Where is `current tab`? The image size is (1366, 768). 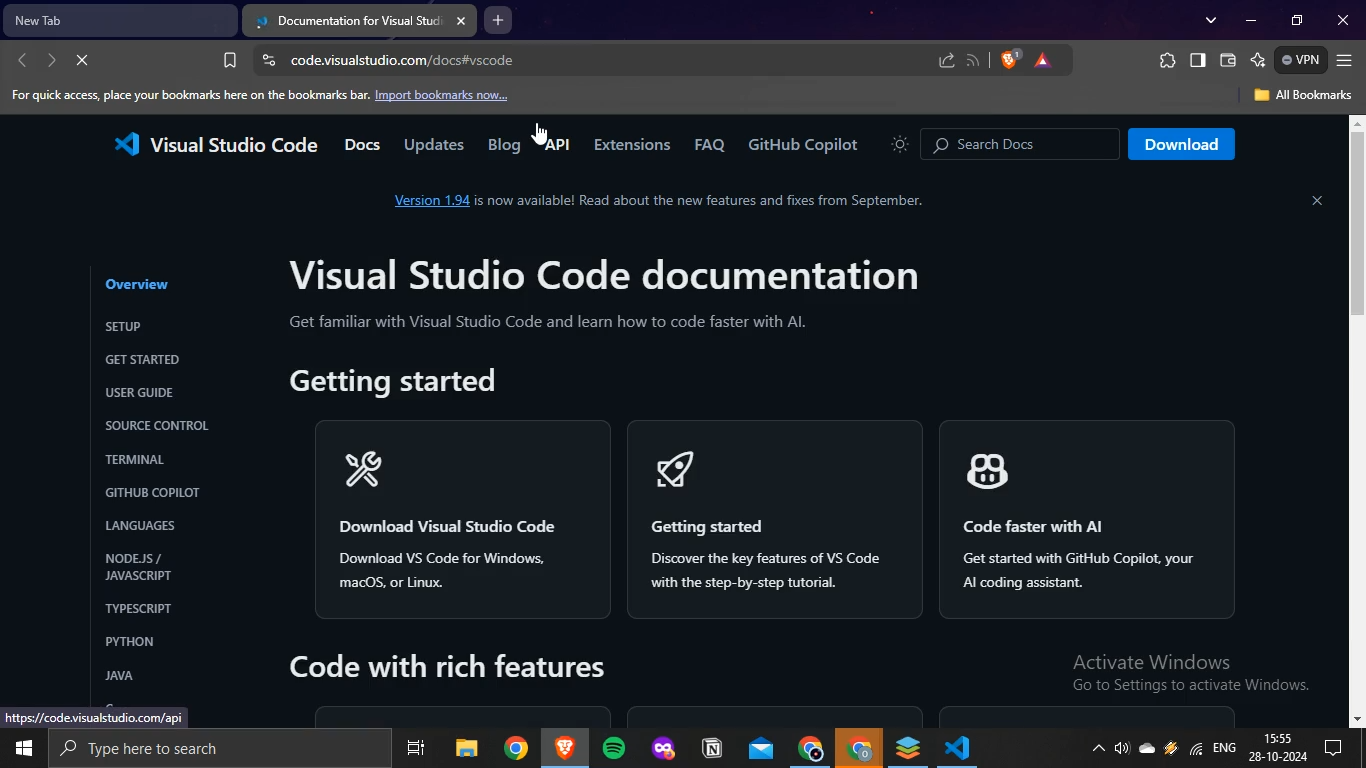
current tab is located at coordinates (348, 22).